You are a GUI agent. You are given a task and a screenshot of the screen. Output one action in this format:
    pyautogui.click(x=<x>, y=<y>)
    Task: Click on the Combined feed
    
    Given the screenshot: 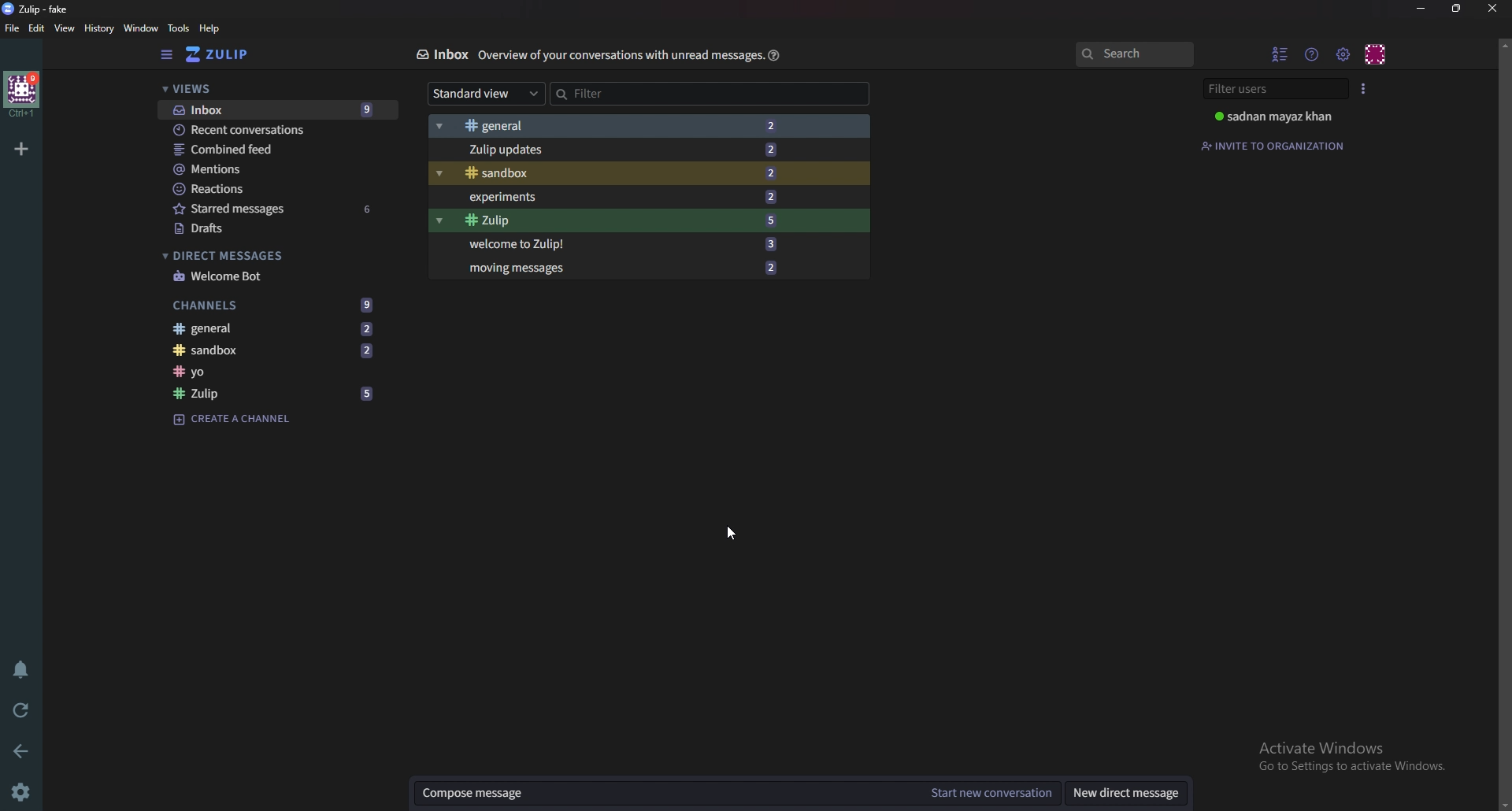 What is the action you would take?
    pyautogui.click(x=272, y=150)
    